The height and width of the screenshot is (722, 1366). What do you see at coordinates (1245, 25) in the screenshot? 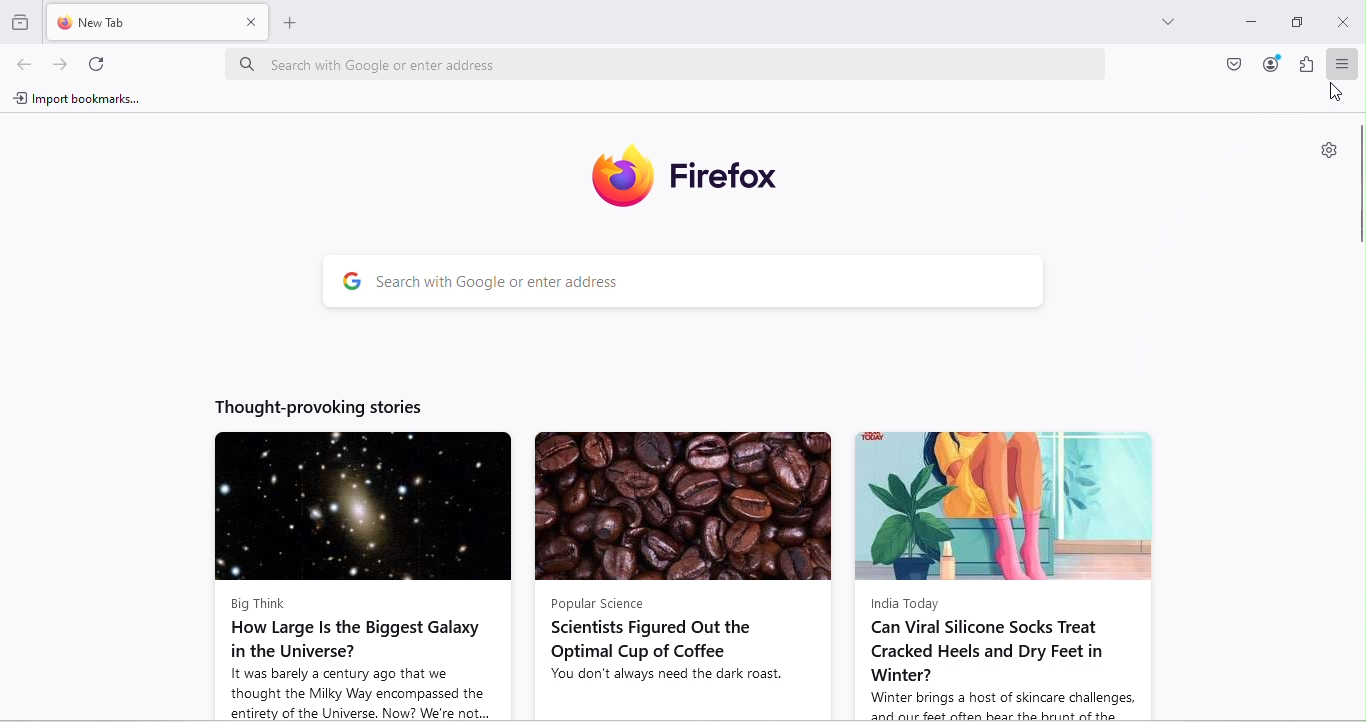
I see `Input ` at bounding box center [1245, 25].